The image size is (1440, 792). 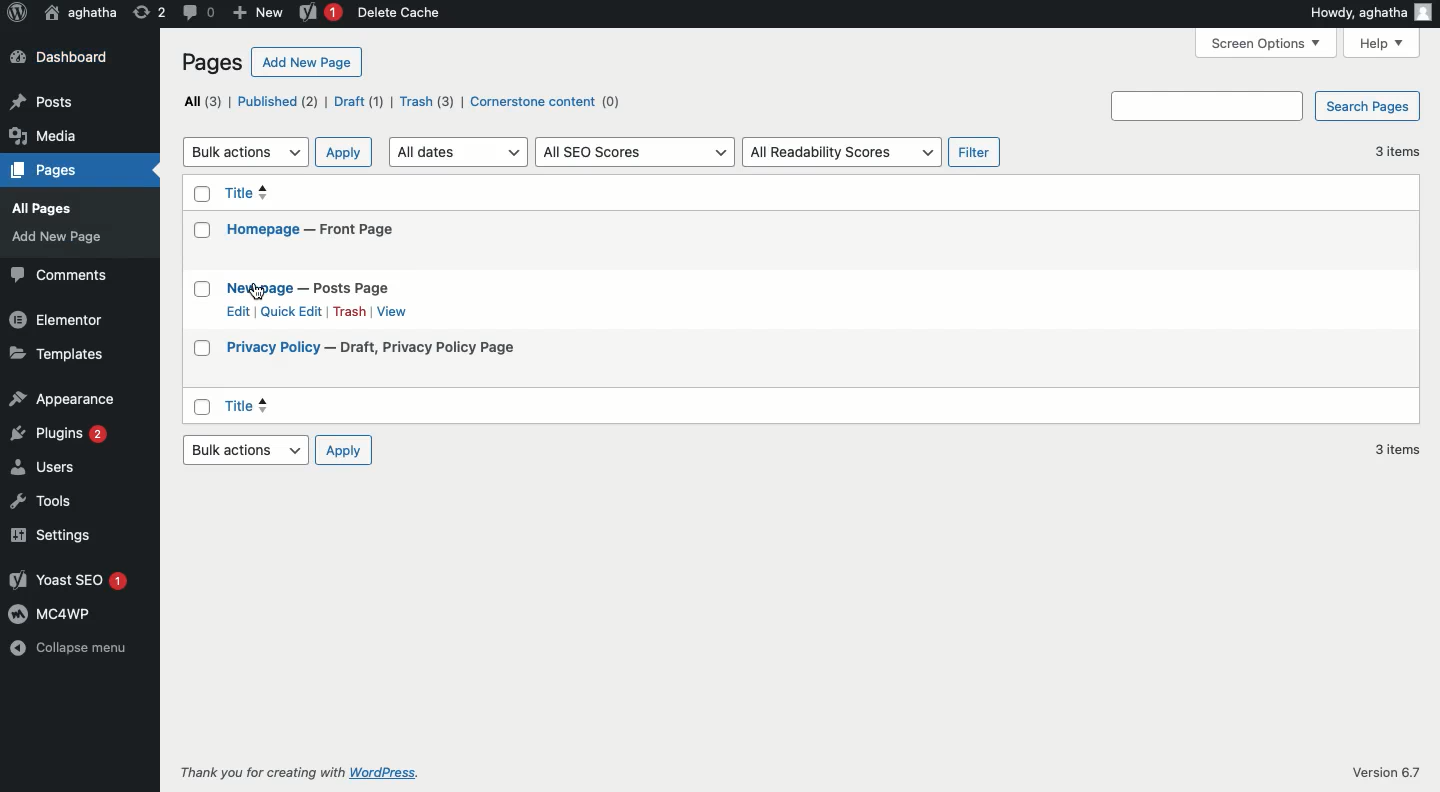 What do you see at coordinates (204, 344) in the screenshot?
I see `Checkbox` at bounding box center [204, 344].